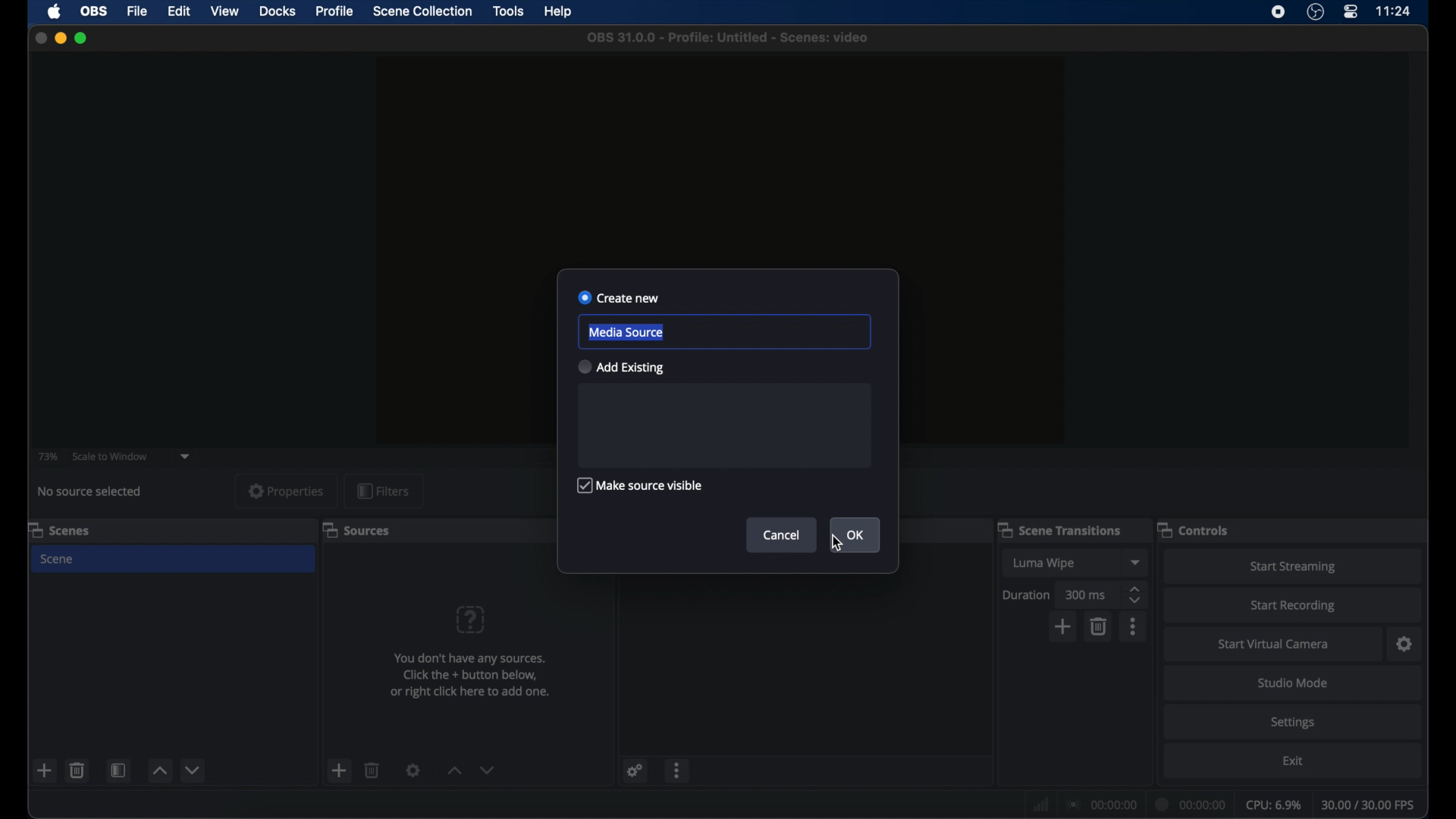  What do you see at coordinates (1295, 567) in the screenshot?
I see `start streaming` at bounding box center [1295, 567].